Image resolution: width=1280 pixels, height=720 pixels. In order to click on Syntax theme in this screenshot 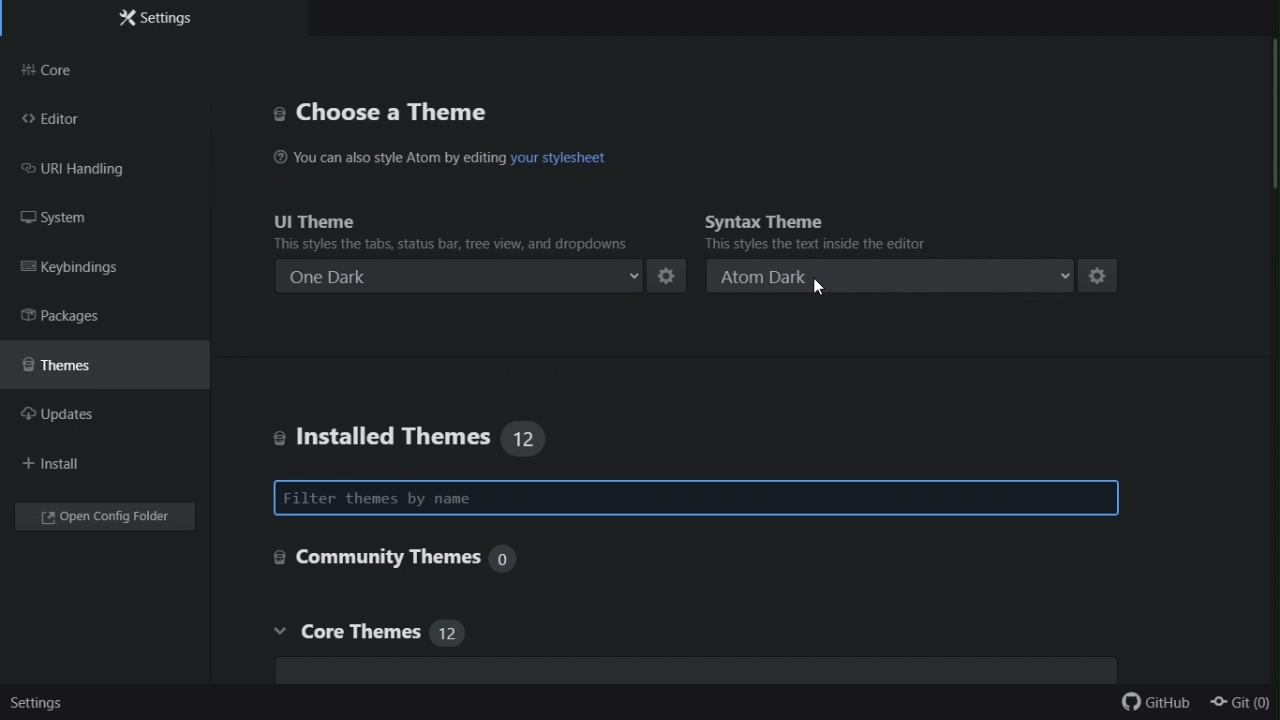, I will do `click(821, 231)`.